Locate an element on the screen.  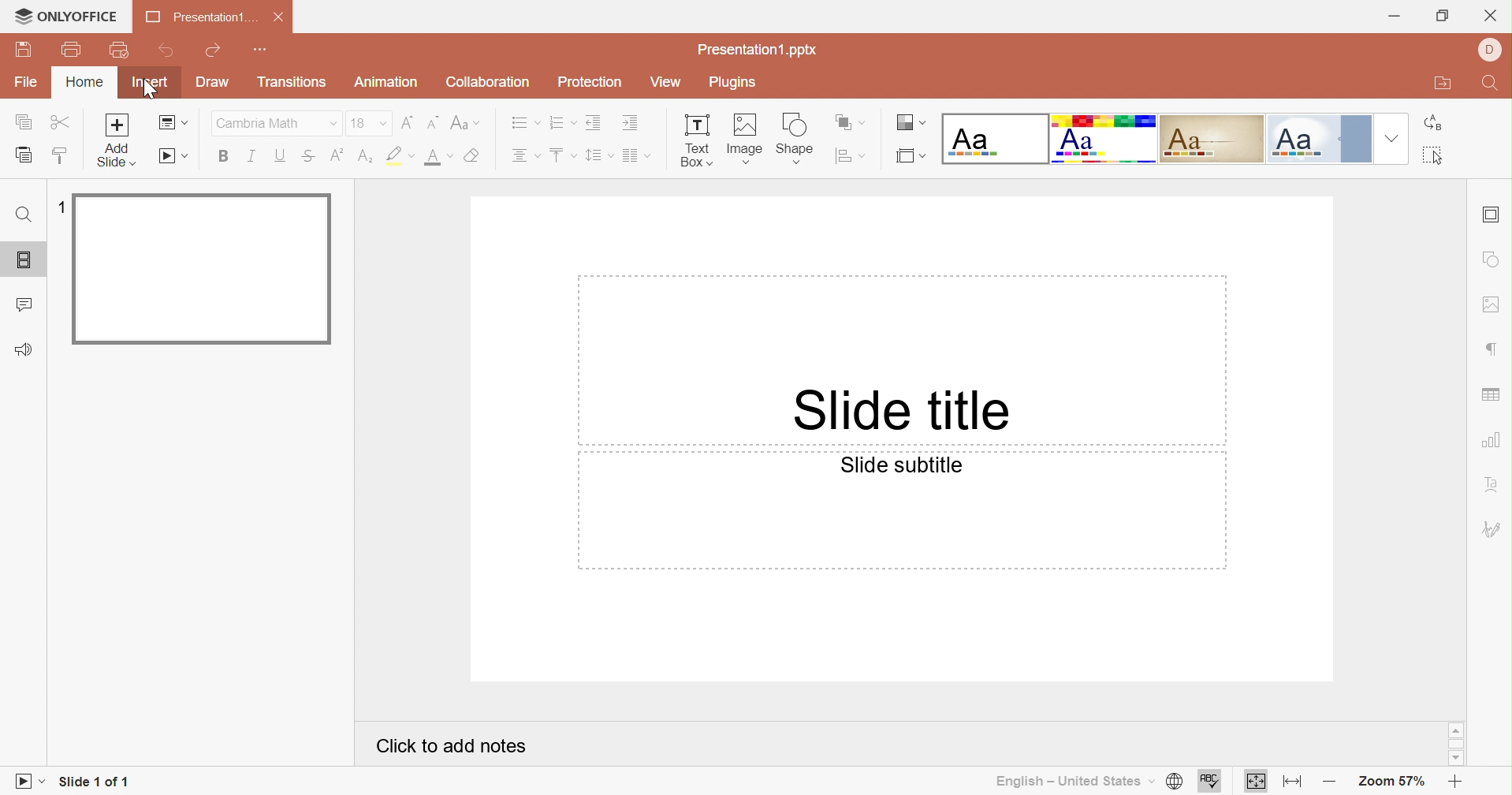
profile is located at coordinates (1493, 50).